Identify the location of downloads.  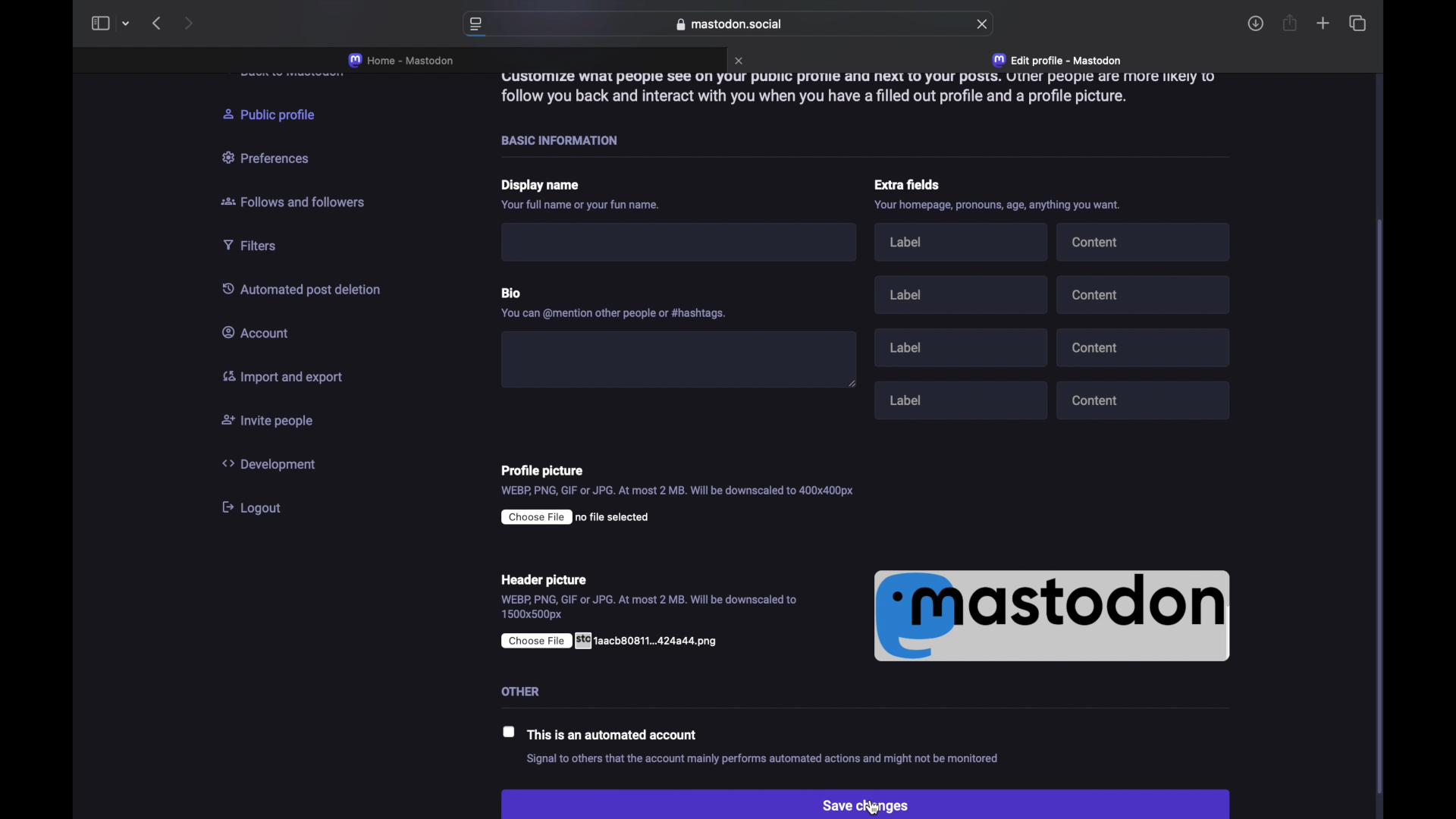
(1256, 24).